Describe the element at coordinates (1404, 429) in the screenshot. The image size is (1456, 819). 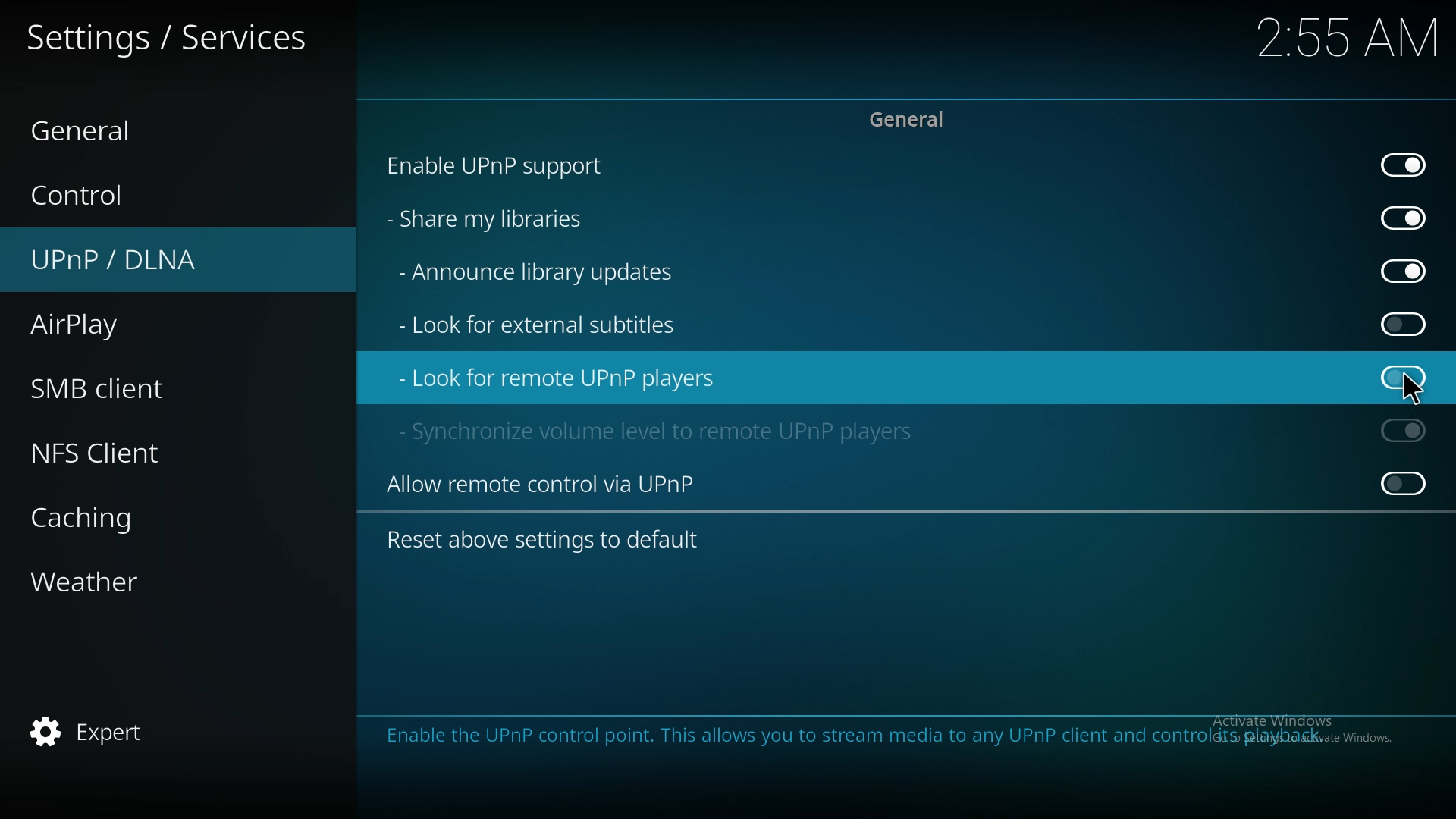
I see `On (Greyed out)` at that location.